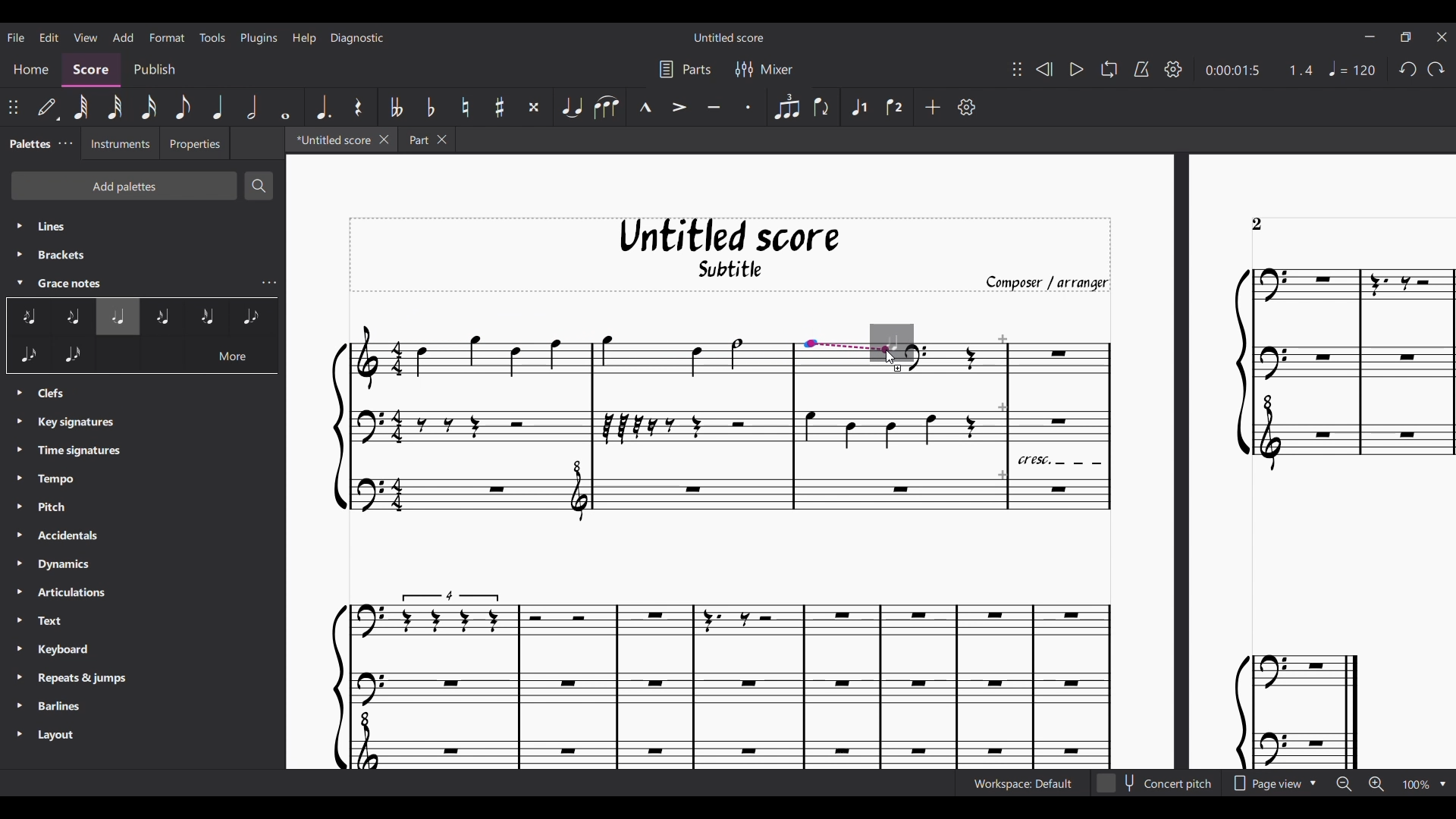 This screenshot has width=1456, height=819. Describe the element at coordinates (51, 318) in the screenshot. I see `grace note option` at that location.